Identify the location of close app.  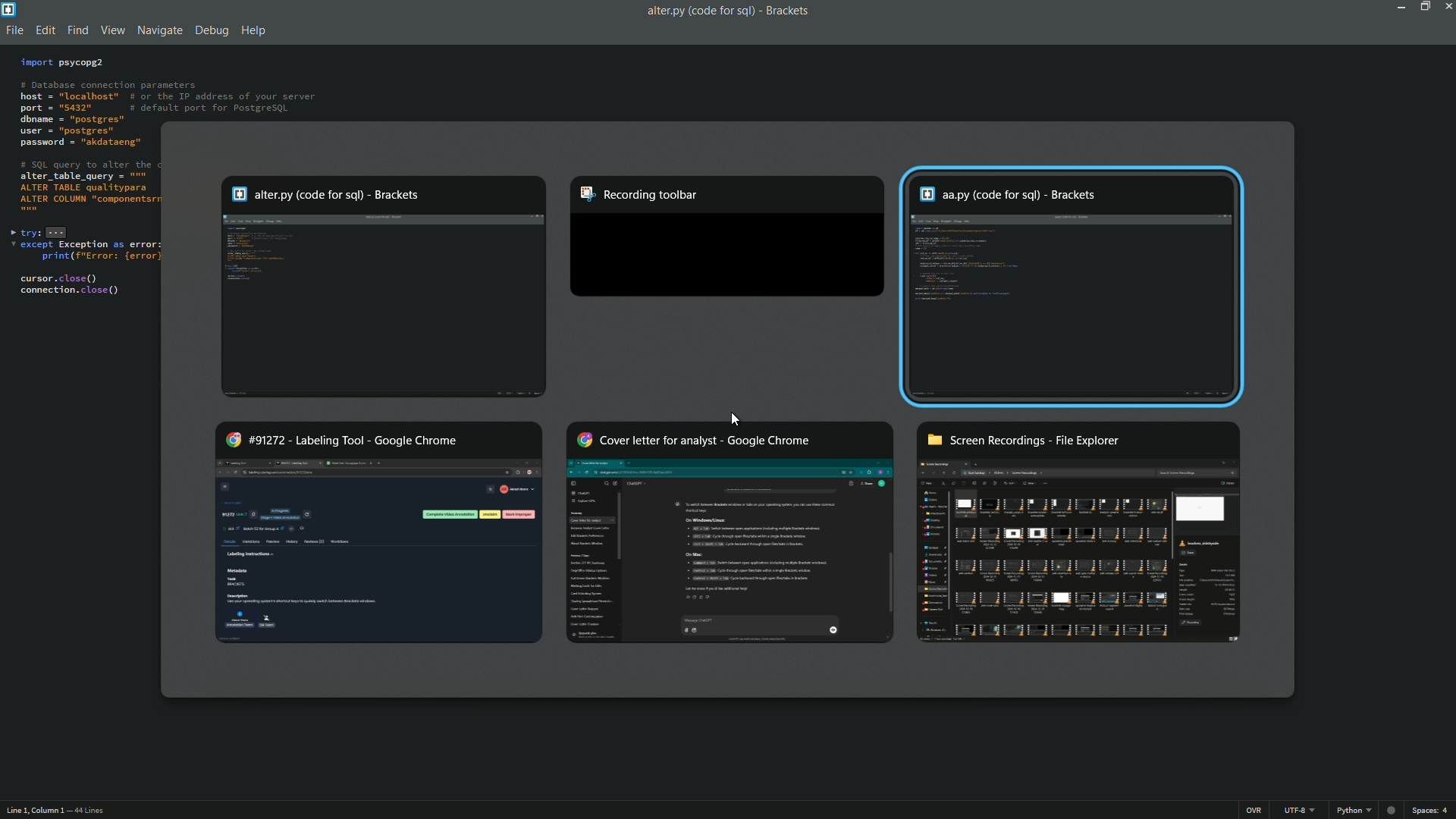
(1447, 8).